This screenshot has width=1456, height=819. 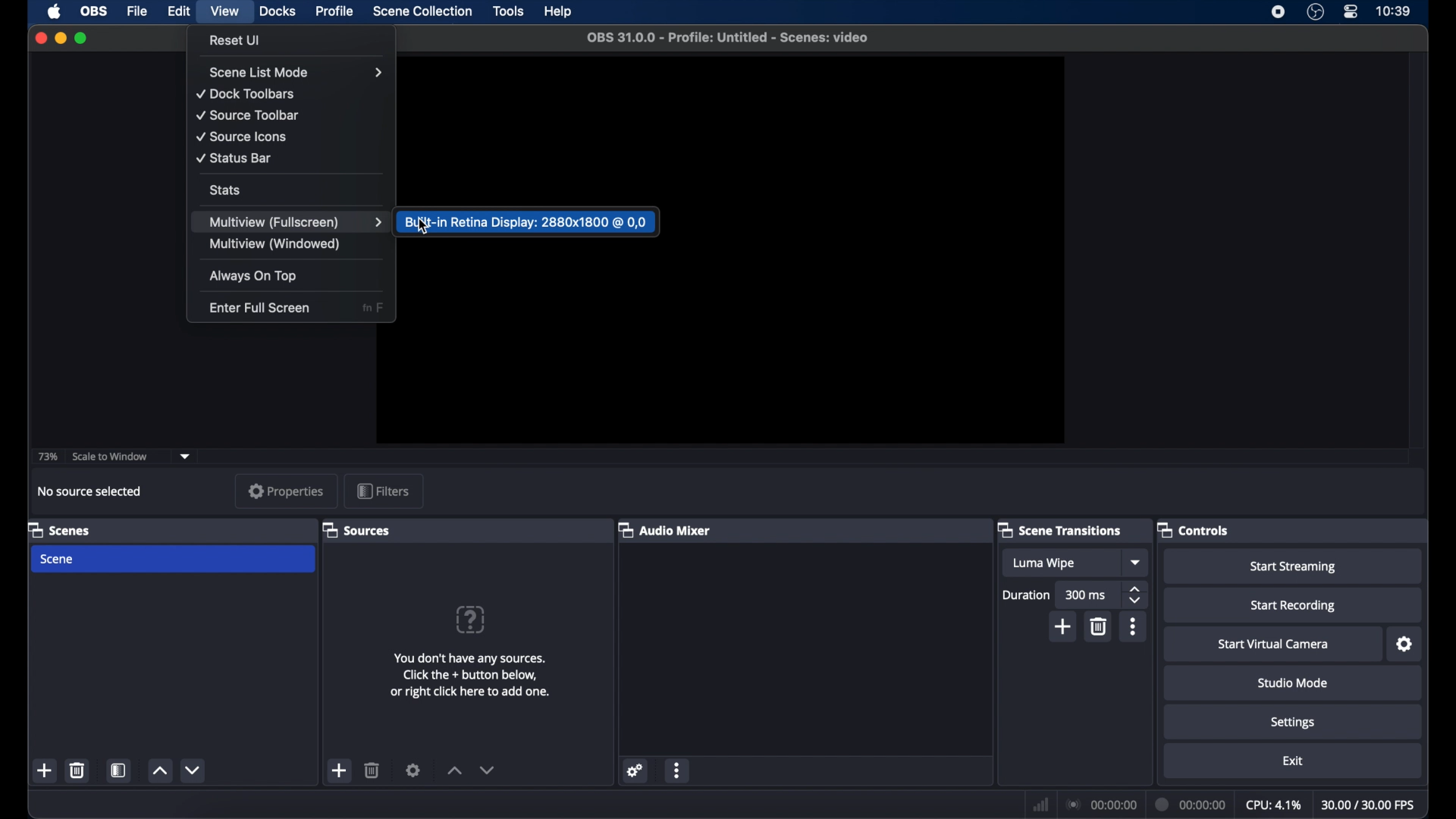 I want to click on add, so click(x=340, y=770).